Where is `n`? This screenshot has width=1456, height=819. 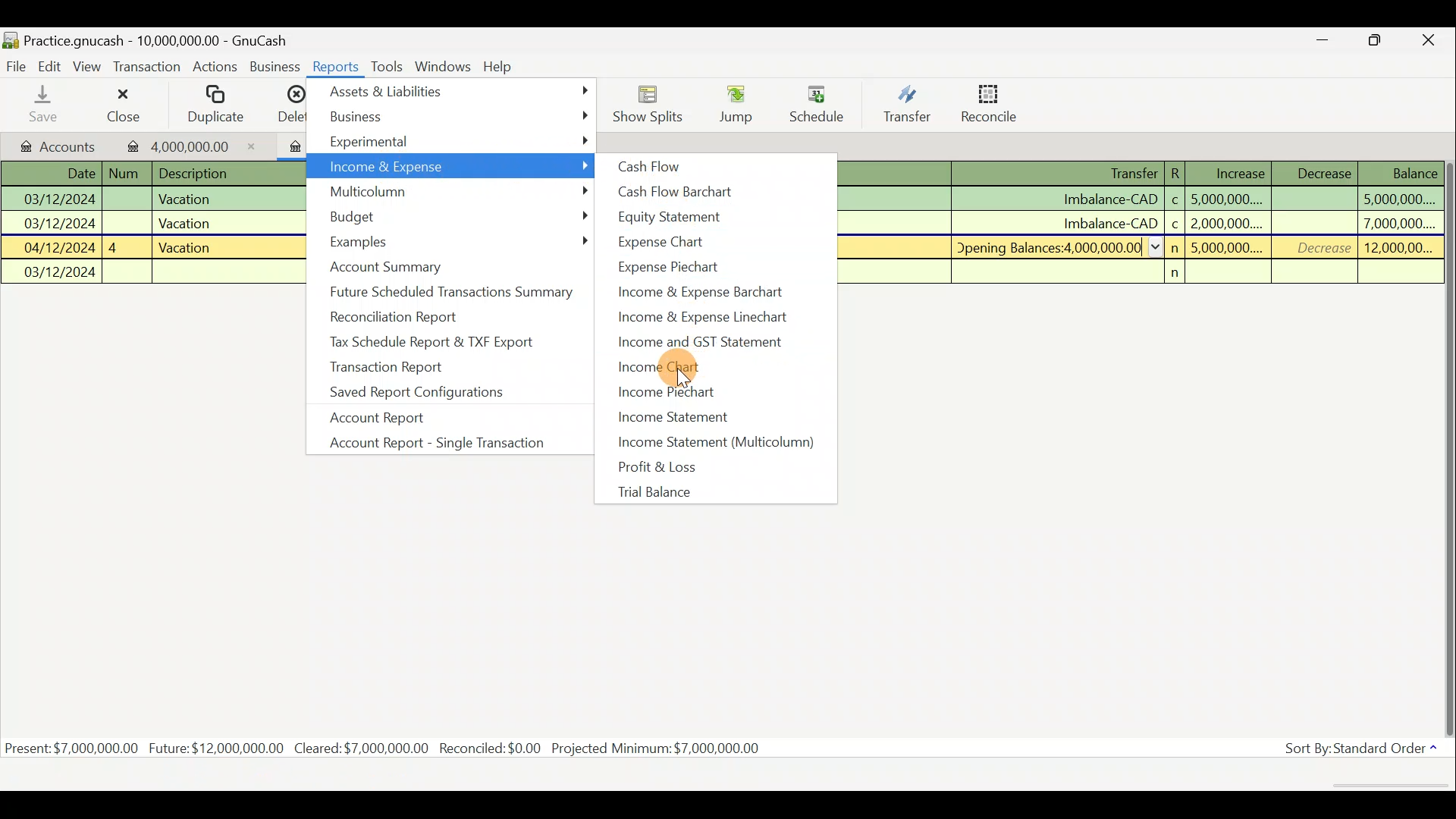
n is located at coordinates (1178, 248).